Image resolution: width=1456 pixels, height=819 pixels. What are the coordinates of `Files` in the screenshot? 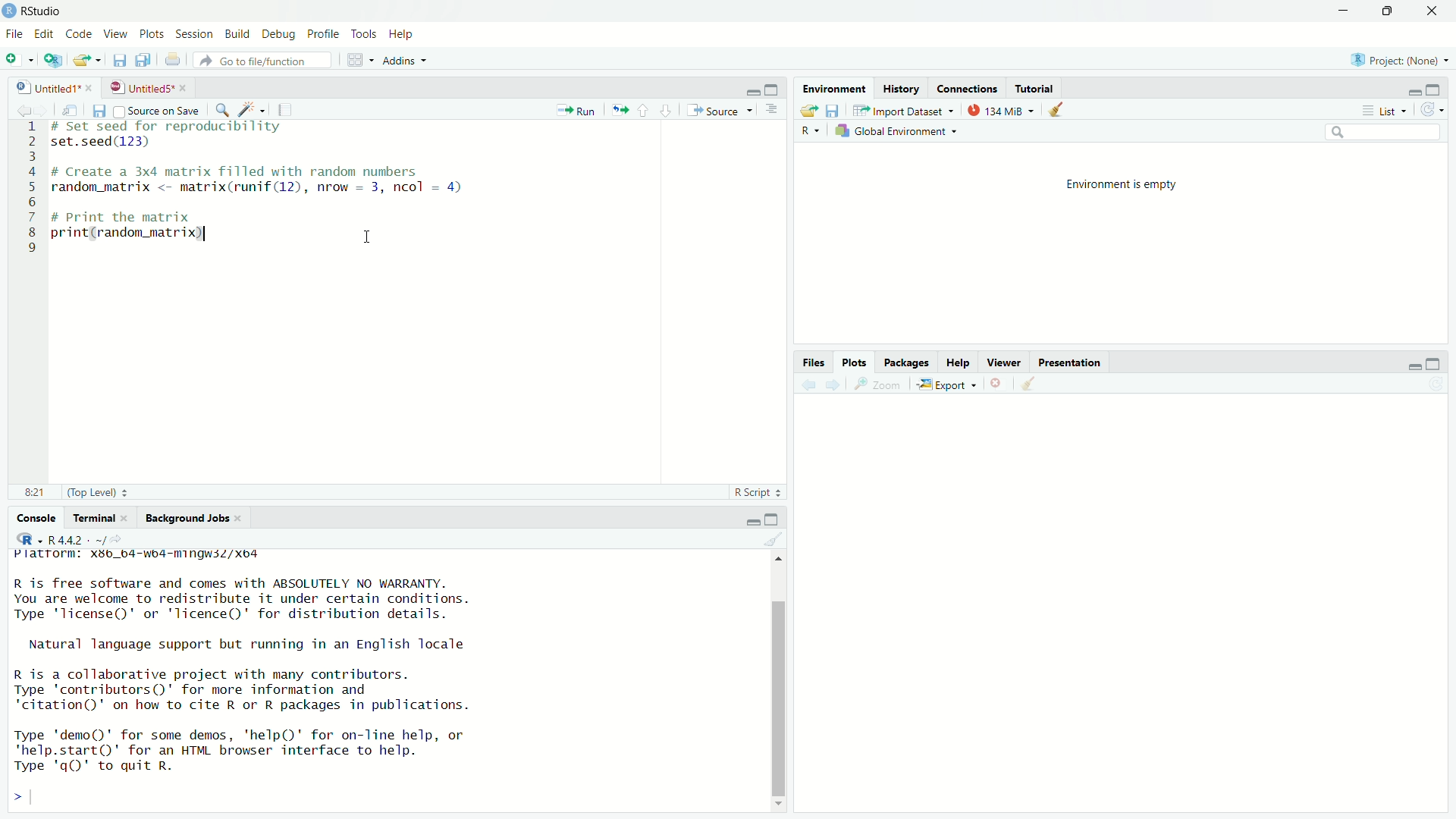 It's located at (816, 363).